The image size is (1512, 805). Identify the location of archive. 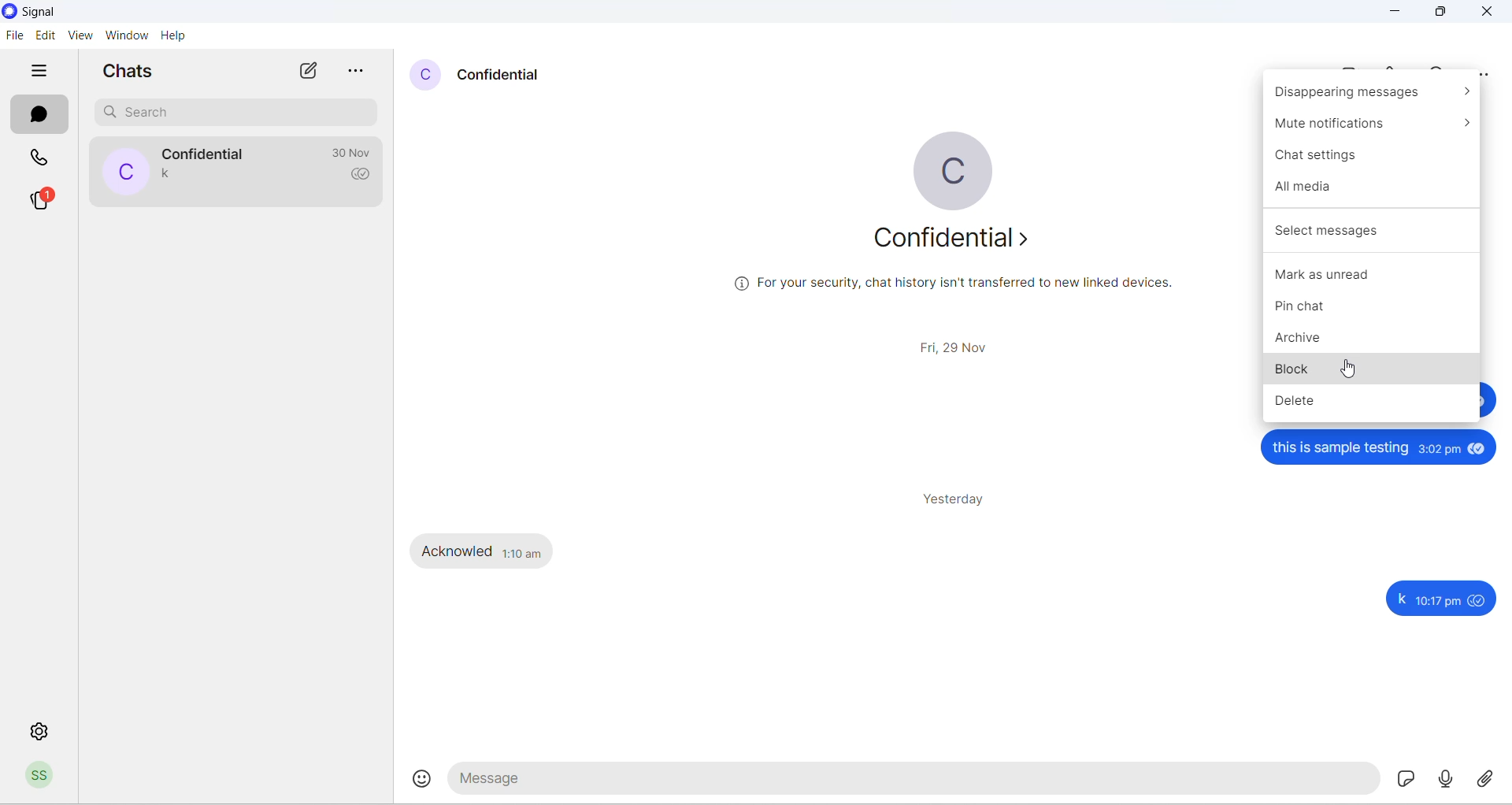
(1376, 342).